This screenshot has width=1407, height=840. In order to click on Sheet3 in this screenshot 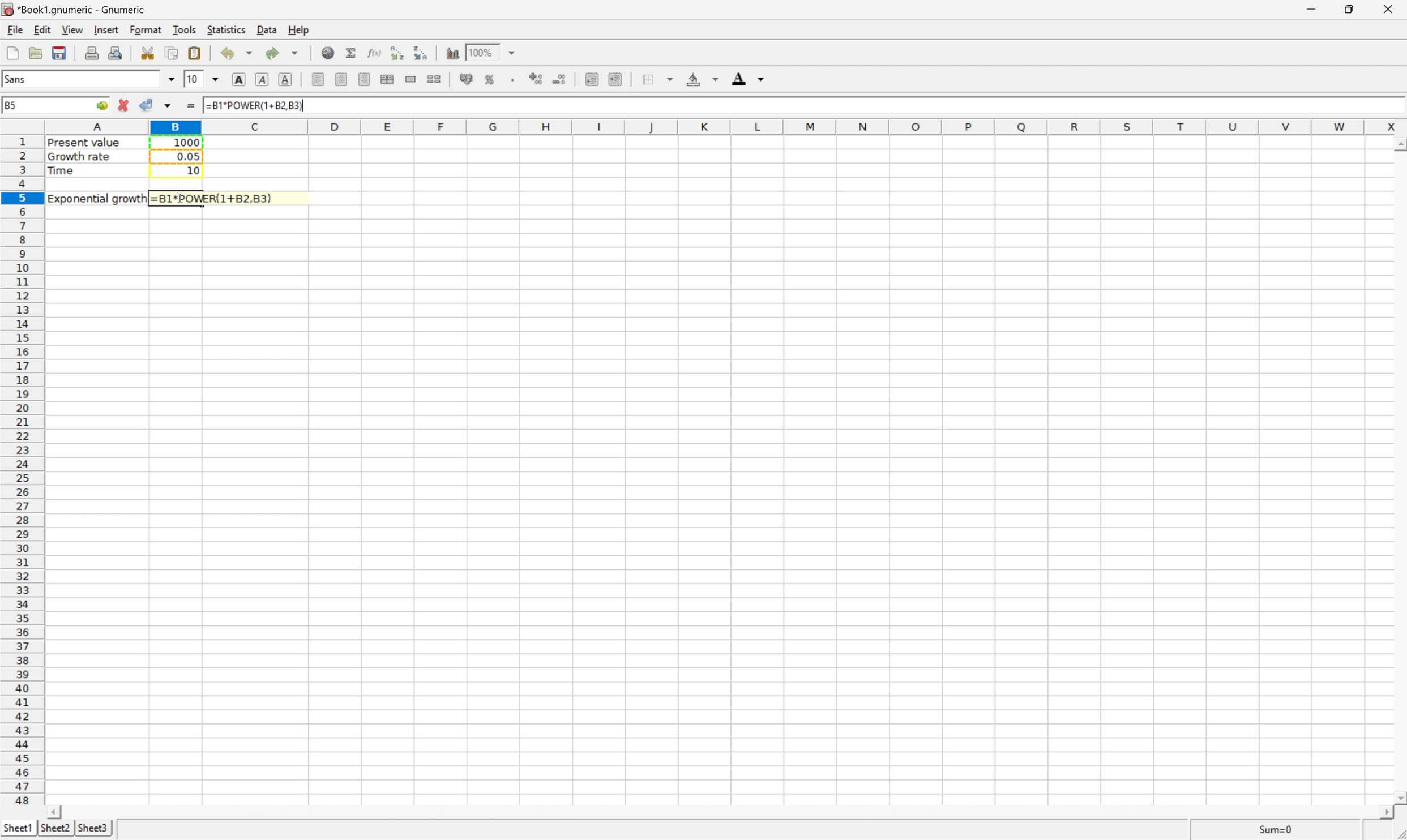, I will do `click(94, 828)`.